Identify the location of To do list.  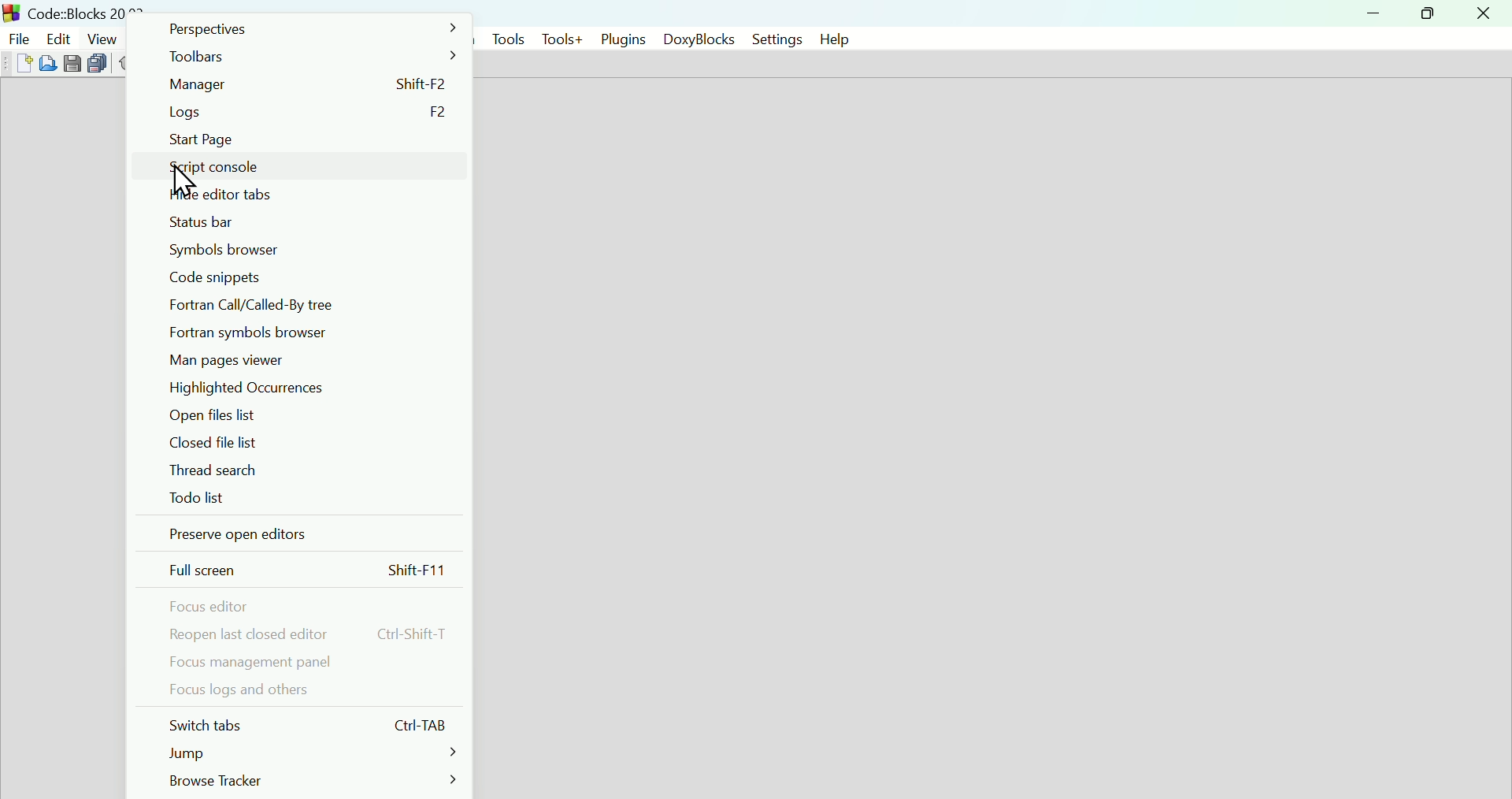
(303, 498).